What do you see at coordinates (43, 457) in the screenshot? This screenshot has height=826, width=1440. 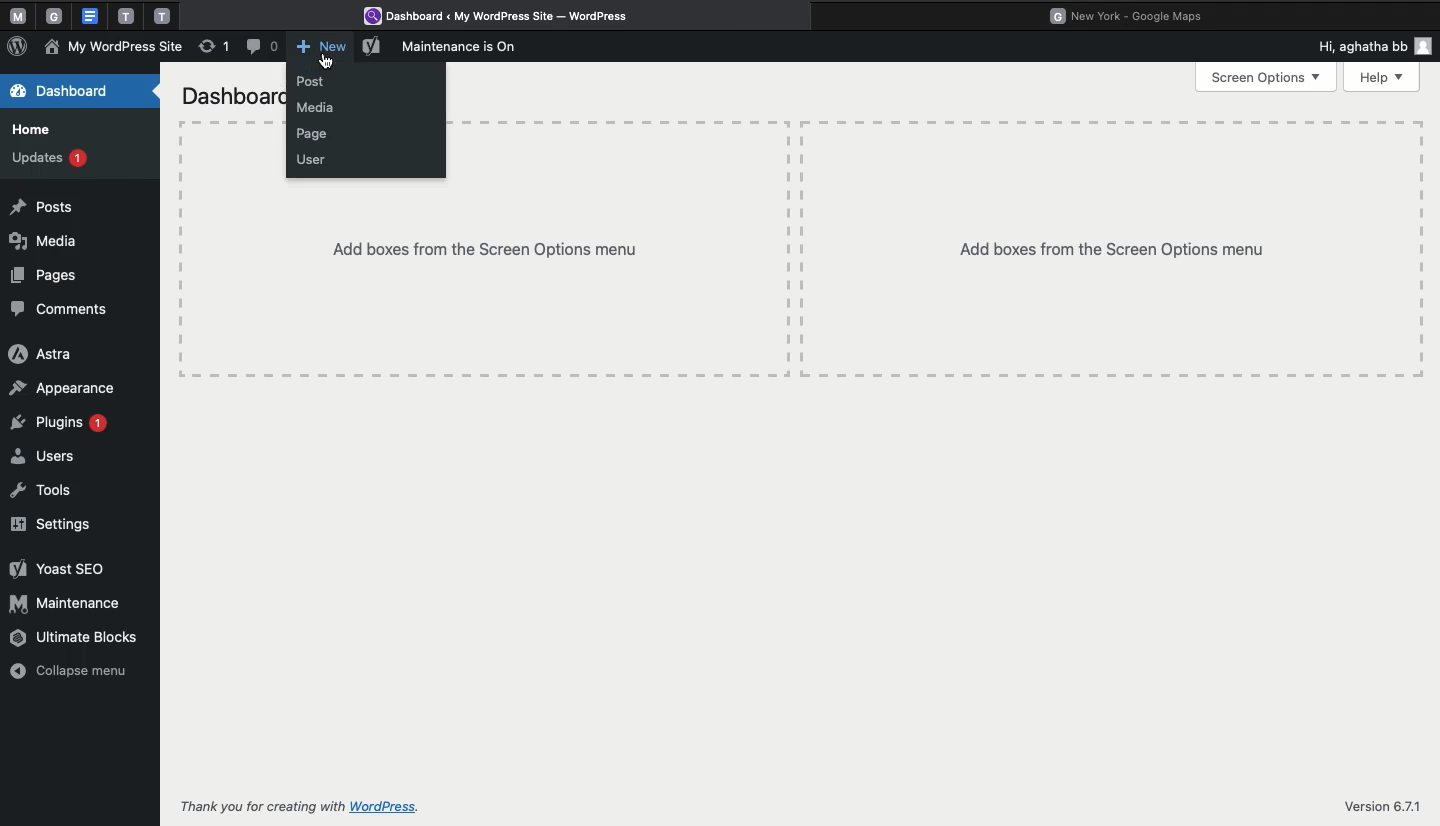 I see `Users` at bounding box center [43, 457].